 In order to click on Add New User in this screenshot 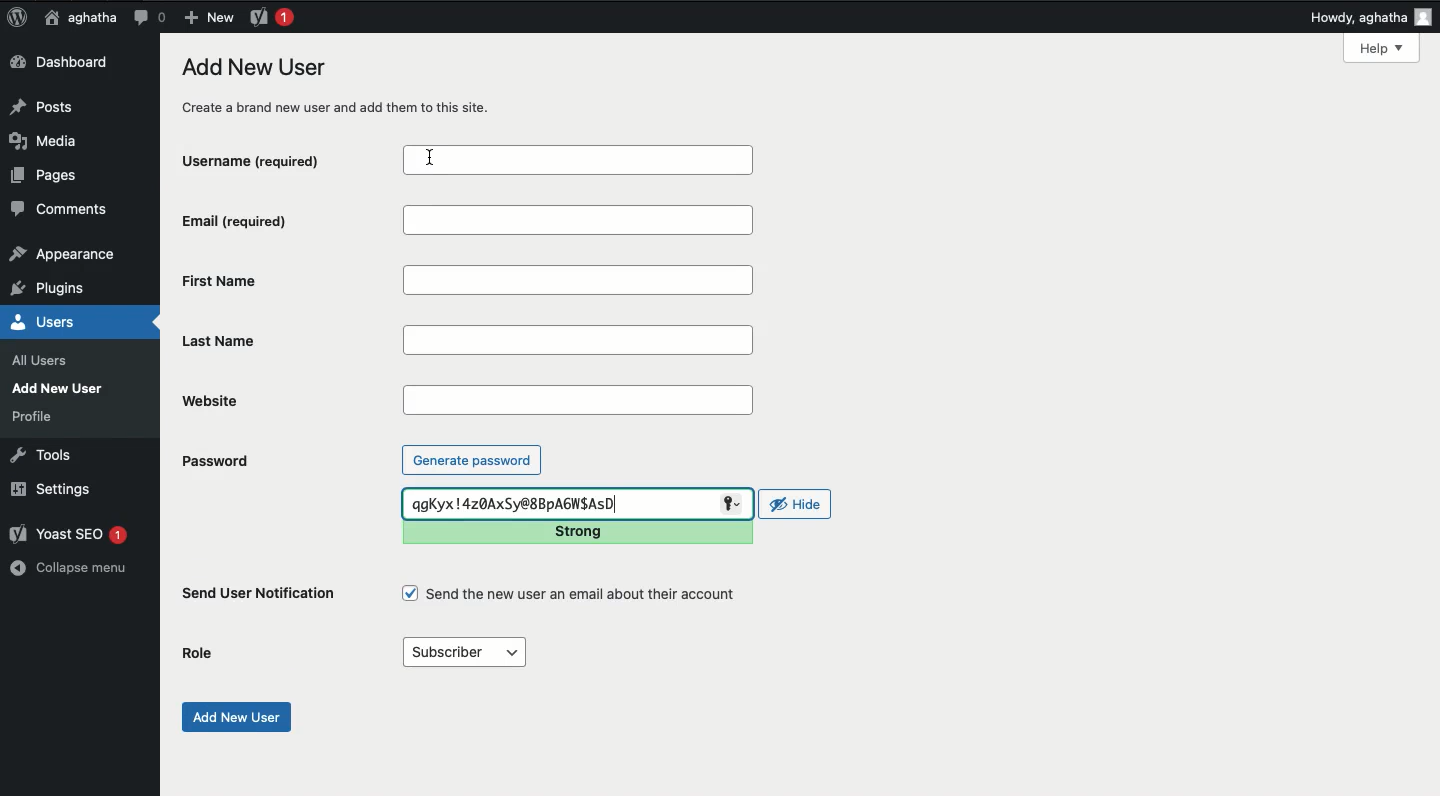, I will do `click(62, 388)`.